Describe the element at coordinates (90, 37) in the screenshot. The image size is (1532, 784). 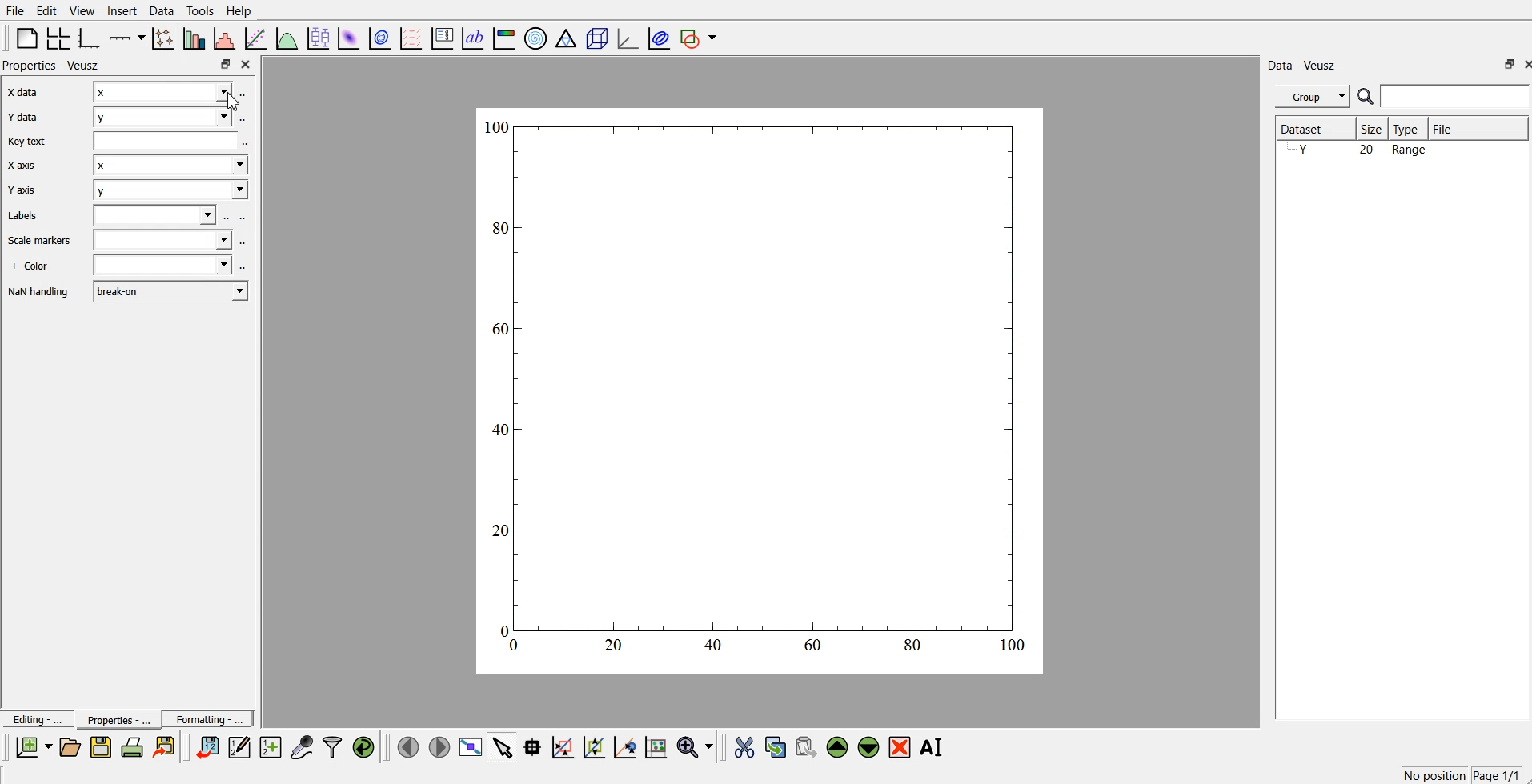
I see `base graph` at that location.